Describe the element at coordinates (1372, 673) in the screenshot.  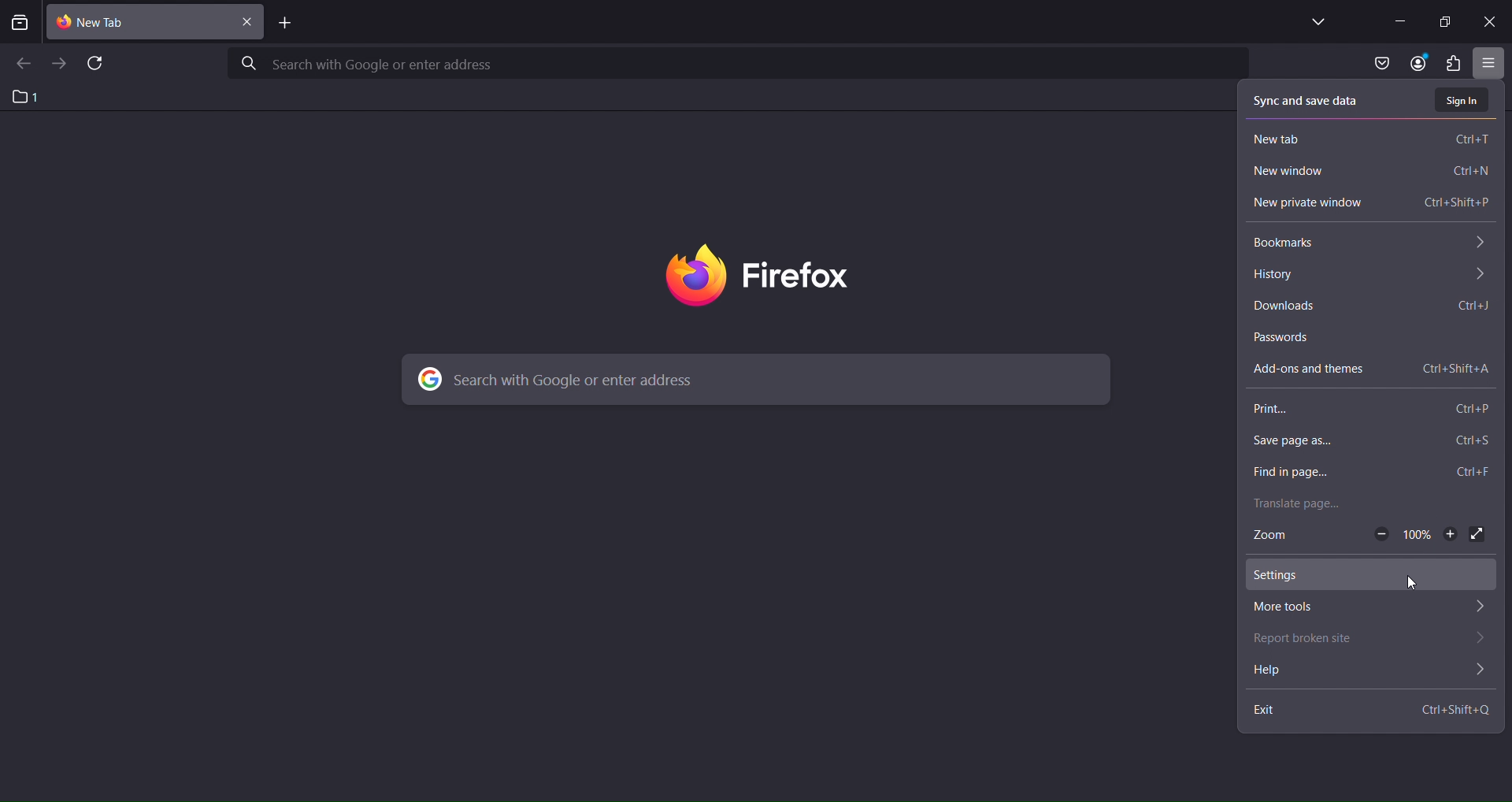
I see `help` at that location.